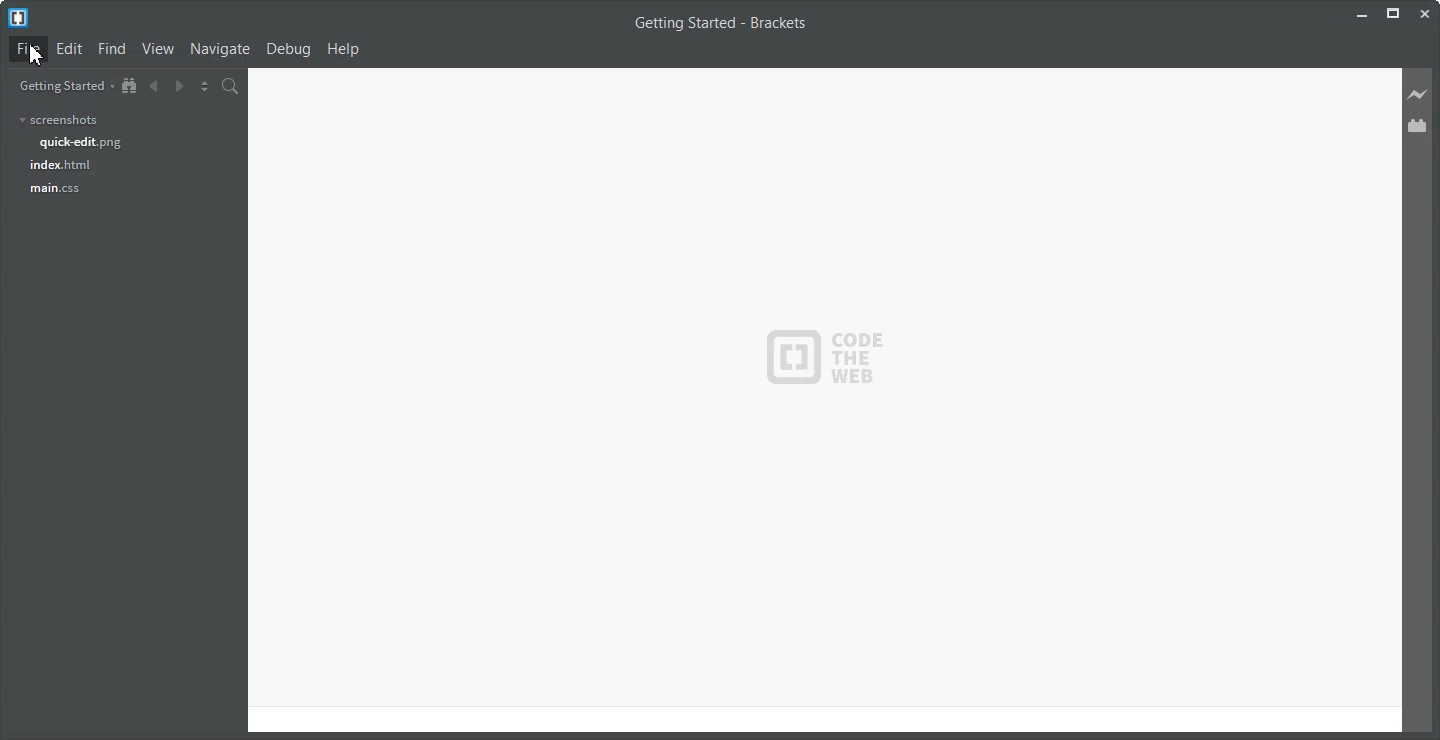 Image resolution: width=1440 pixels, height=740 pixels. What do you see at coordinates (231, 87) in the screenshot?
I see `Find in Files` at bounding box center [231, 87].